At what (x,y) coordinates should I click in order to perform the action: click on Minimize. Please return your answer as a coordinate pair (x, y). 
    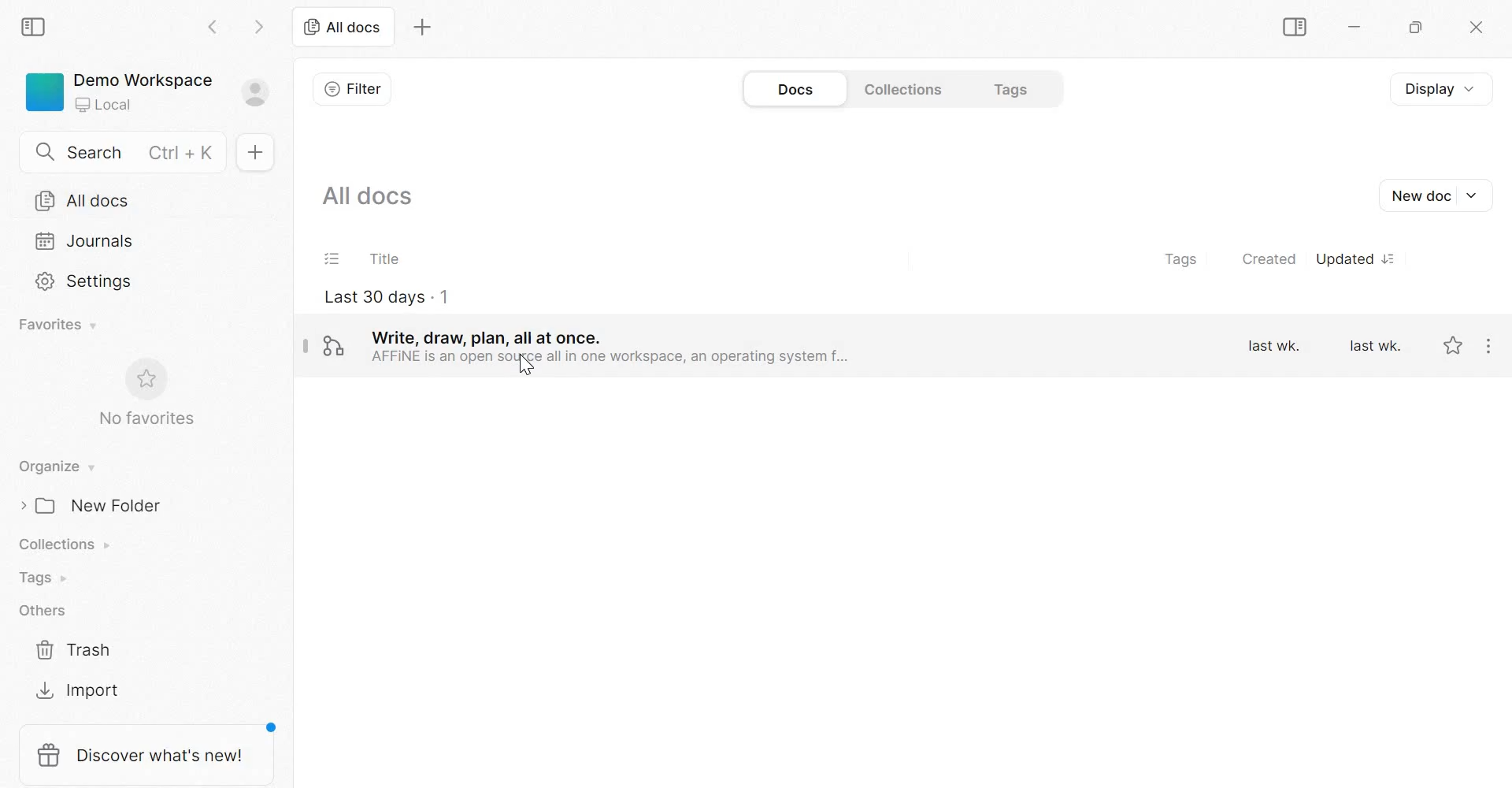
    Looking at the image, I should click on (1353, 28).